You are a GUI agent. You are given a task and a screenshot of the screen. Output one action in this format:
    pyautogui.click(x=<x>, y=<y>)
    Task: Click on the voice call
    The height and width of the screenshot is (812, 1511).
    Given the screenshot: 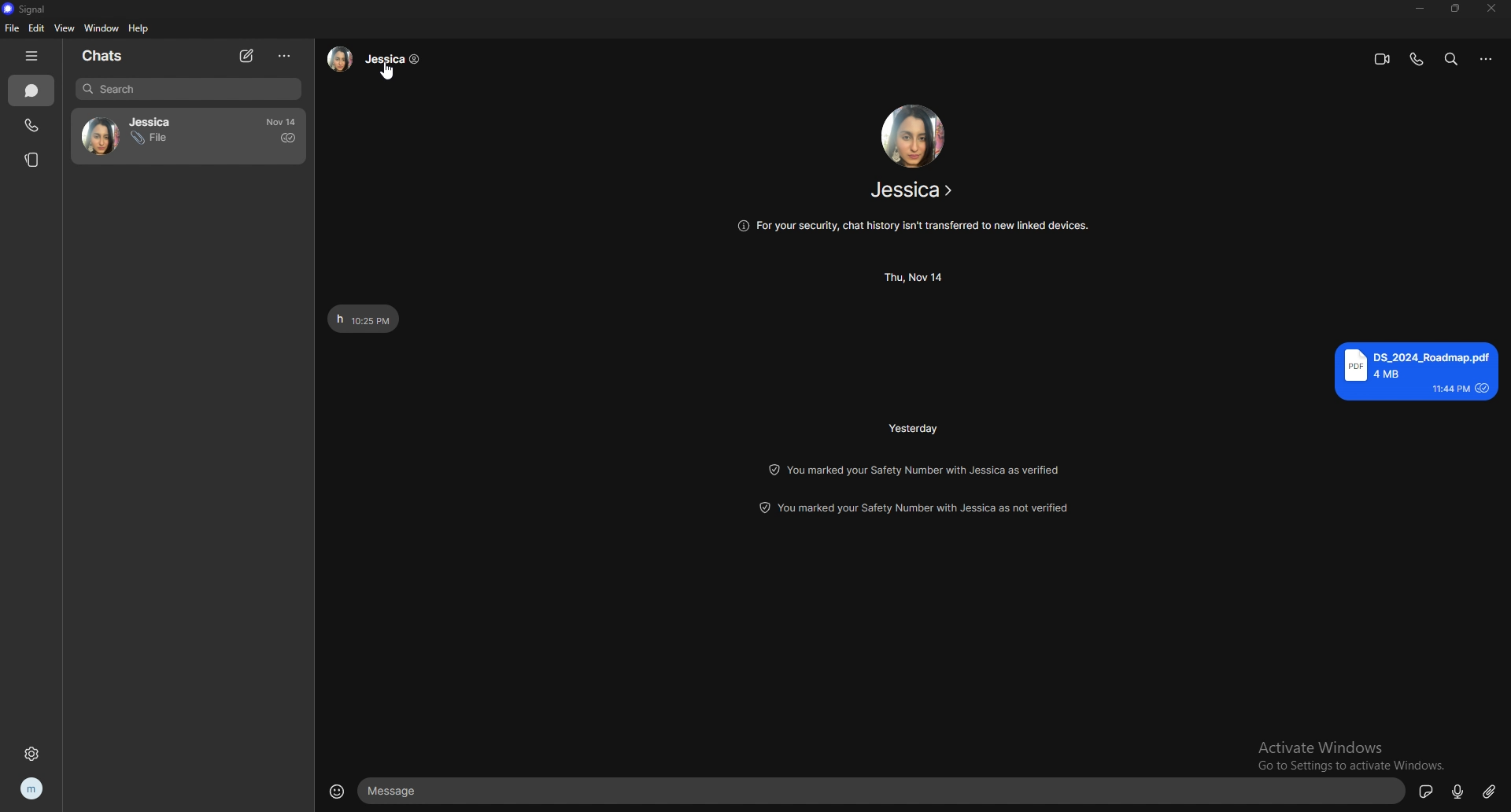 What is the action you would take?
    pyautogui.click(x=1417, y=60)
    